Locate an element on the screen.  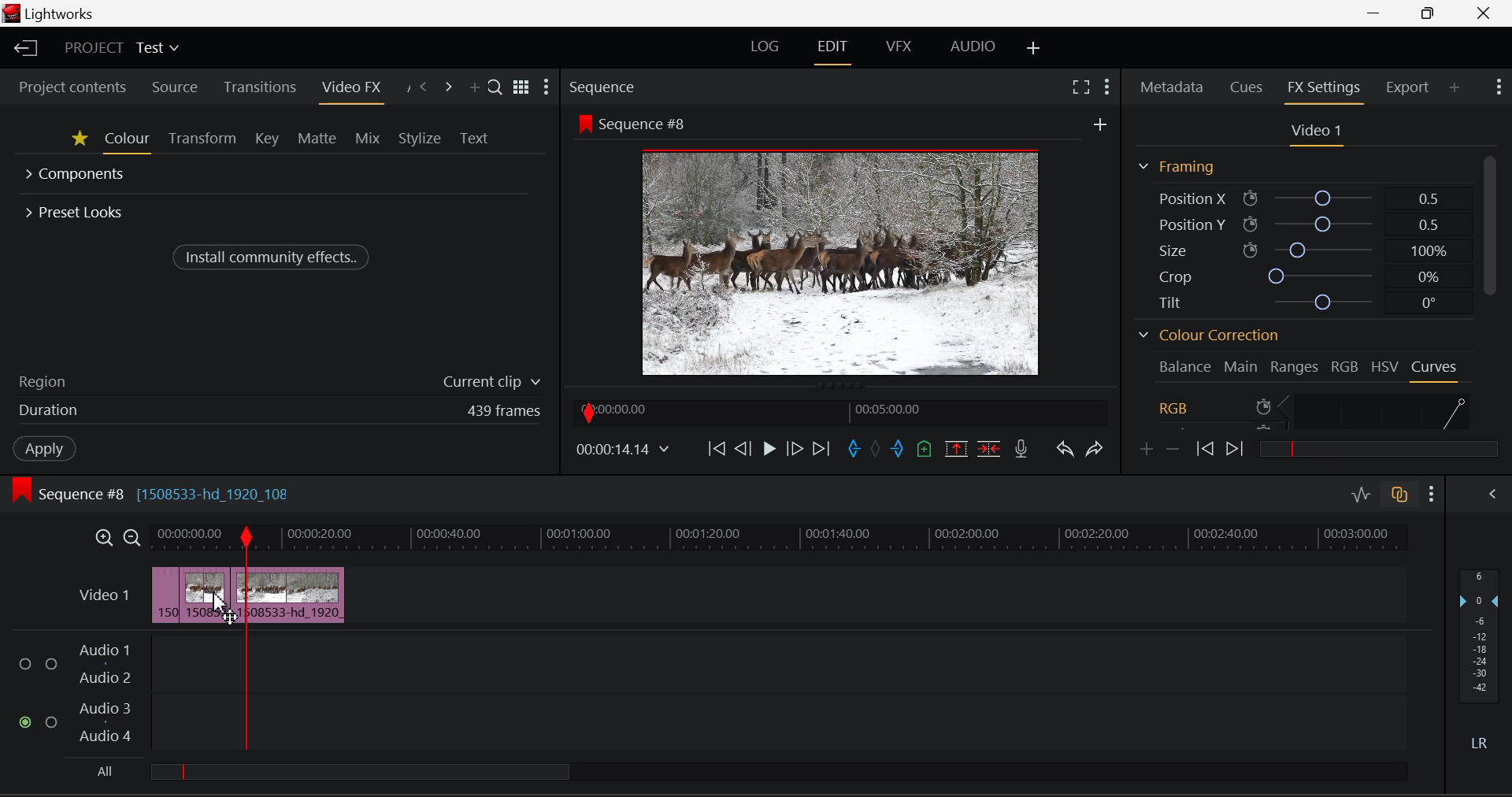
Region is located at coordinates (278, 380).